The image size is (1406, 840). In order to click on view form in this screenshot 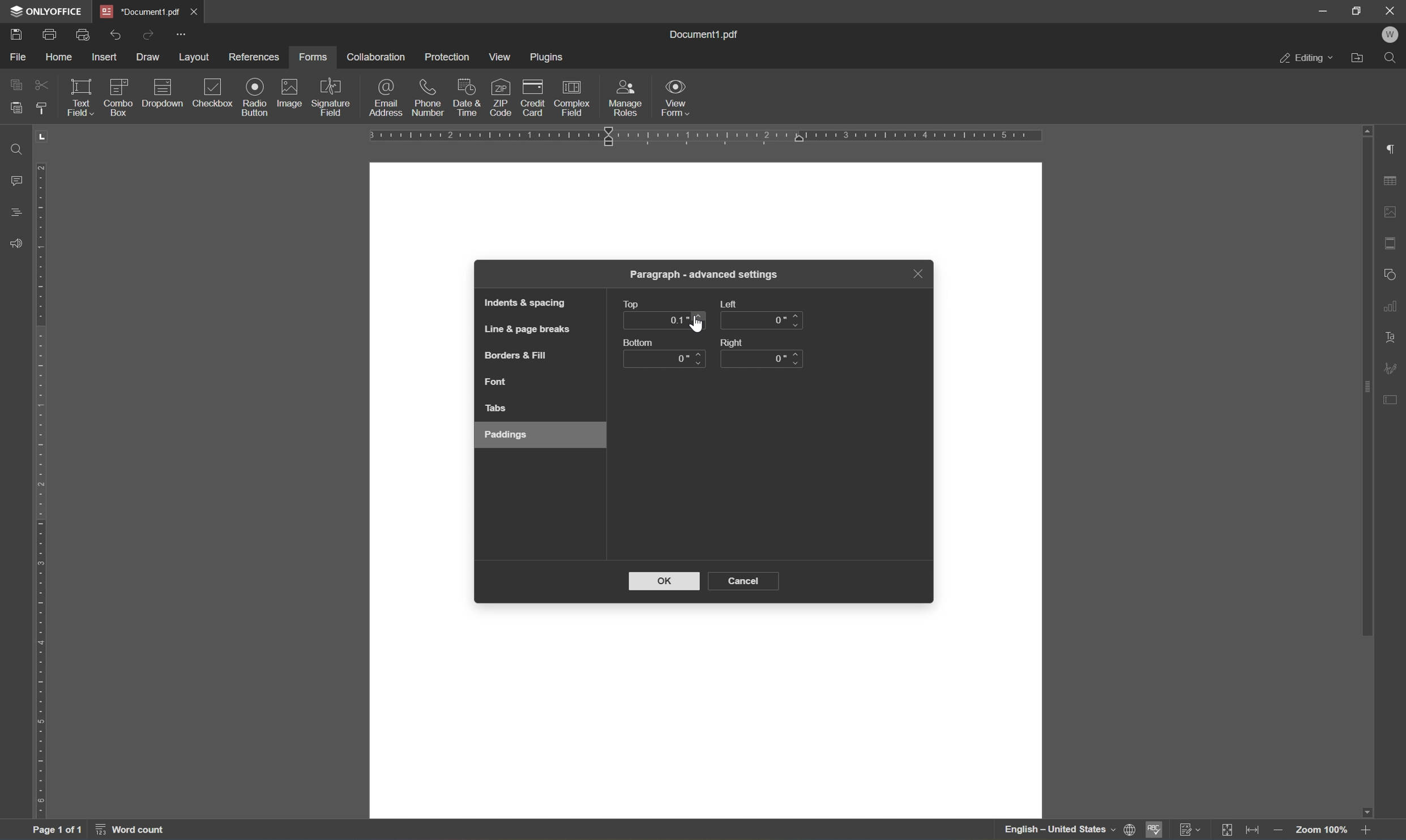, I will do `click(682, 99)`.